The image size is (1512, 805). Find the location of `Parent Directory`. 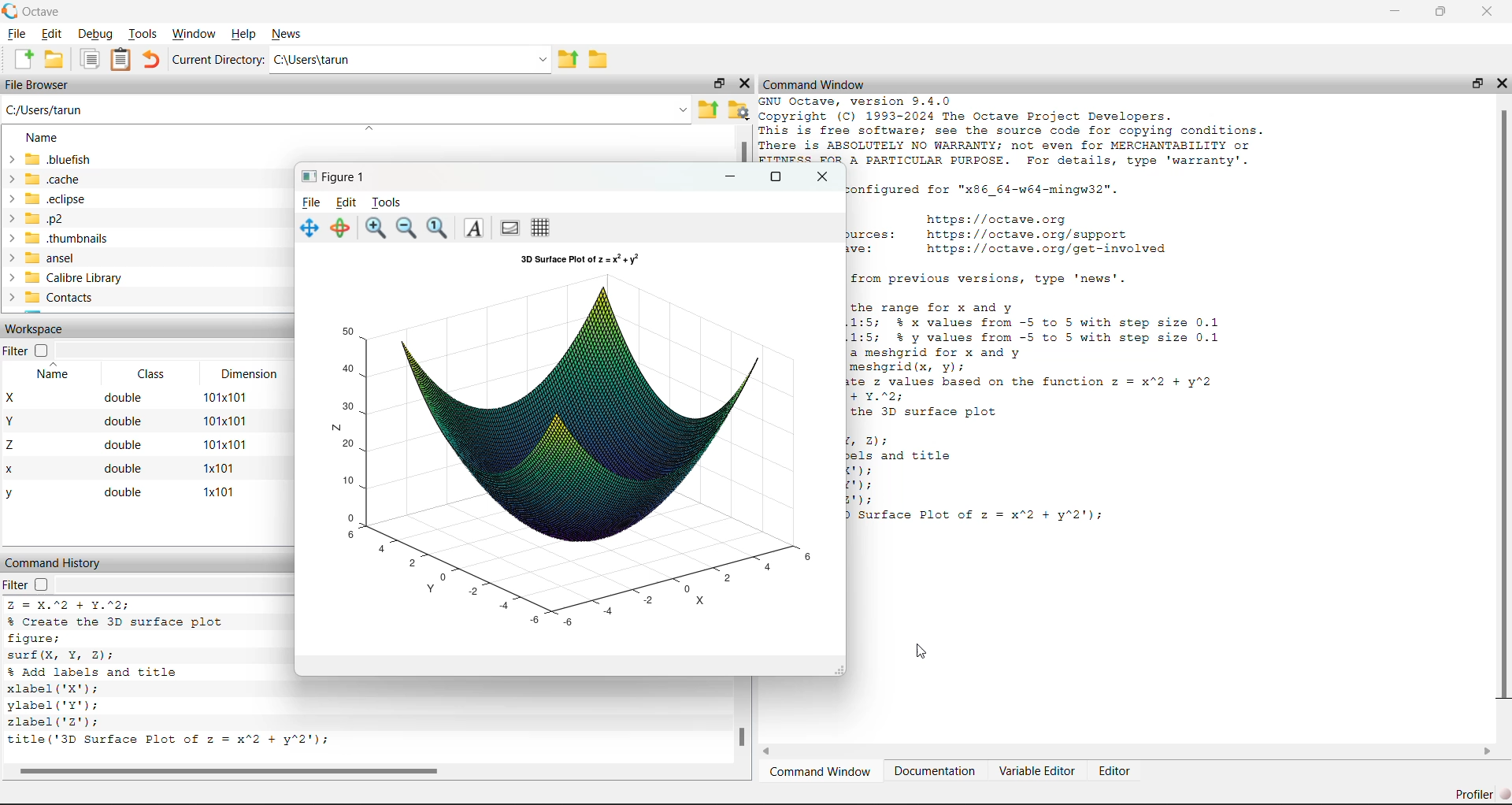

Parent Directory is located at coordinates (709, 109).